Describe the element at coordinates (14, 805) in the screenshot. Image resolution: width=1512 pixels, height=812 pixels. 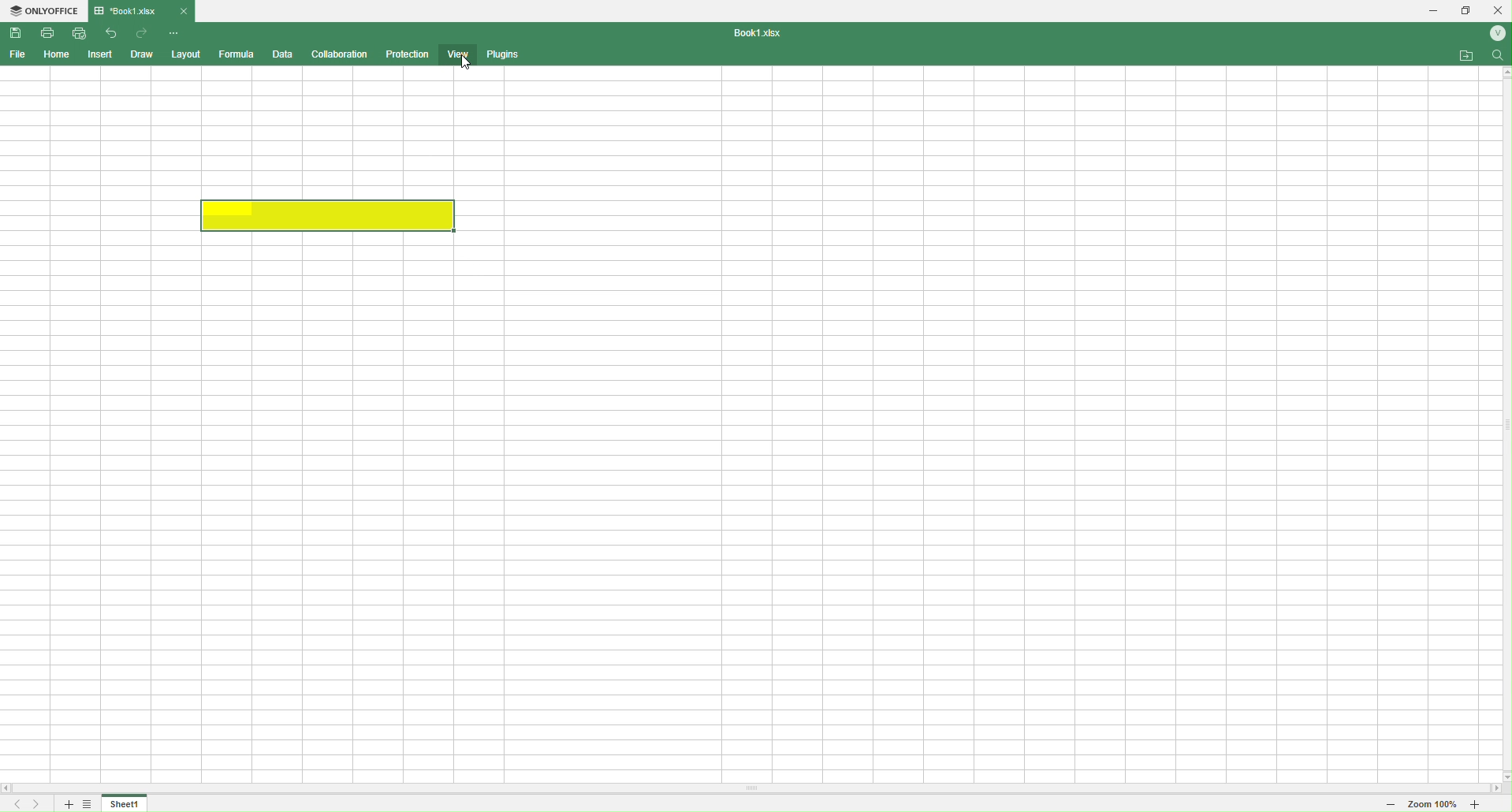
I see `Scroll to the first sheet` at that location.